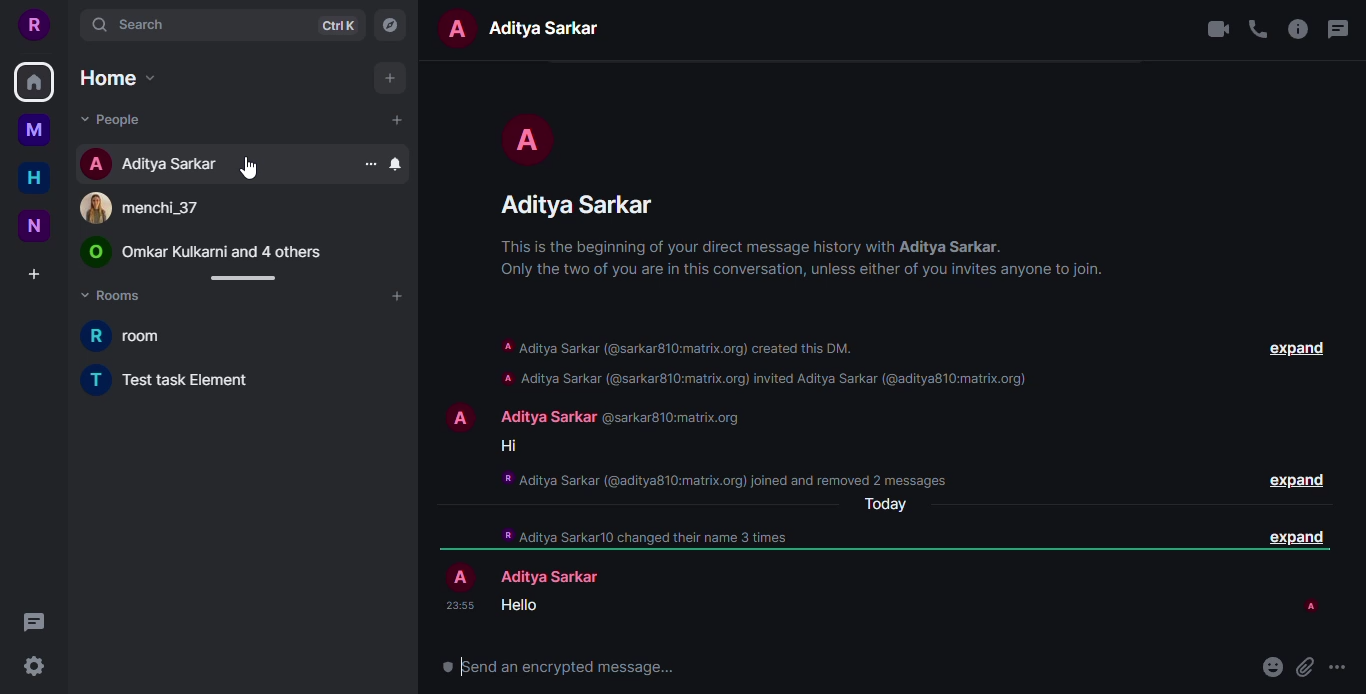 This screenshot has width=1366, height=694. Describe the element at coordinates (395, 163) in the screenshot. I see `notification` at that location.